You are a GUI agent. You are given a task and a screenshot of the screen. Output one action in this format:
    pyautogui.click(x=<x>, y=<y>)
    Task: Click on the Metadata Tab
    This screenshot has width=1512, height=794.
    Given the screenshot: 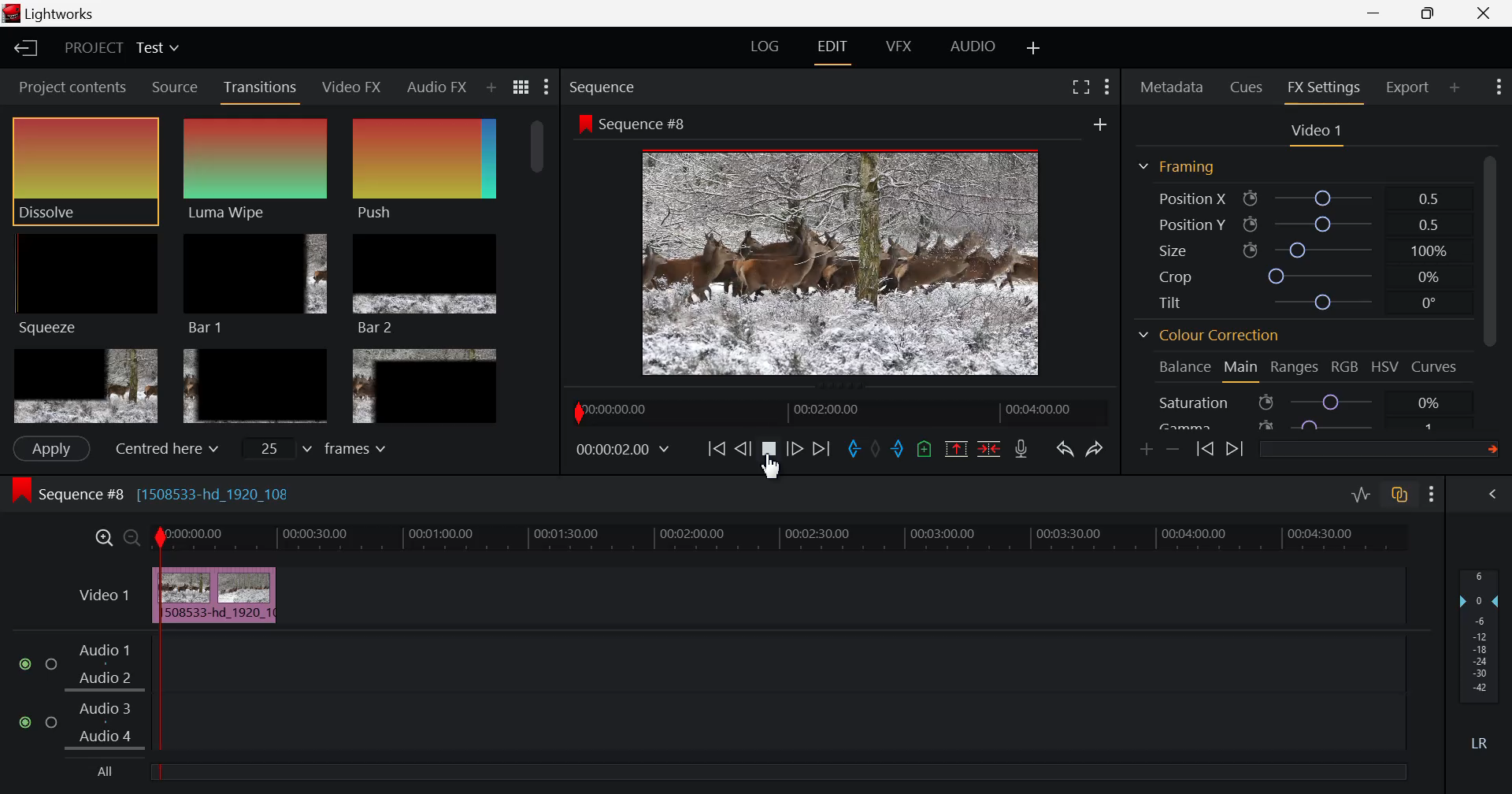 What is the action you would take?
    pyautogui.click(x=1172, y=87)
    